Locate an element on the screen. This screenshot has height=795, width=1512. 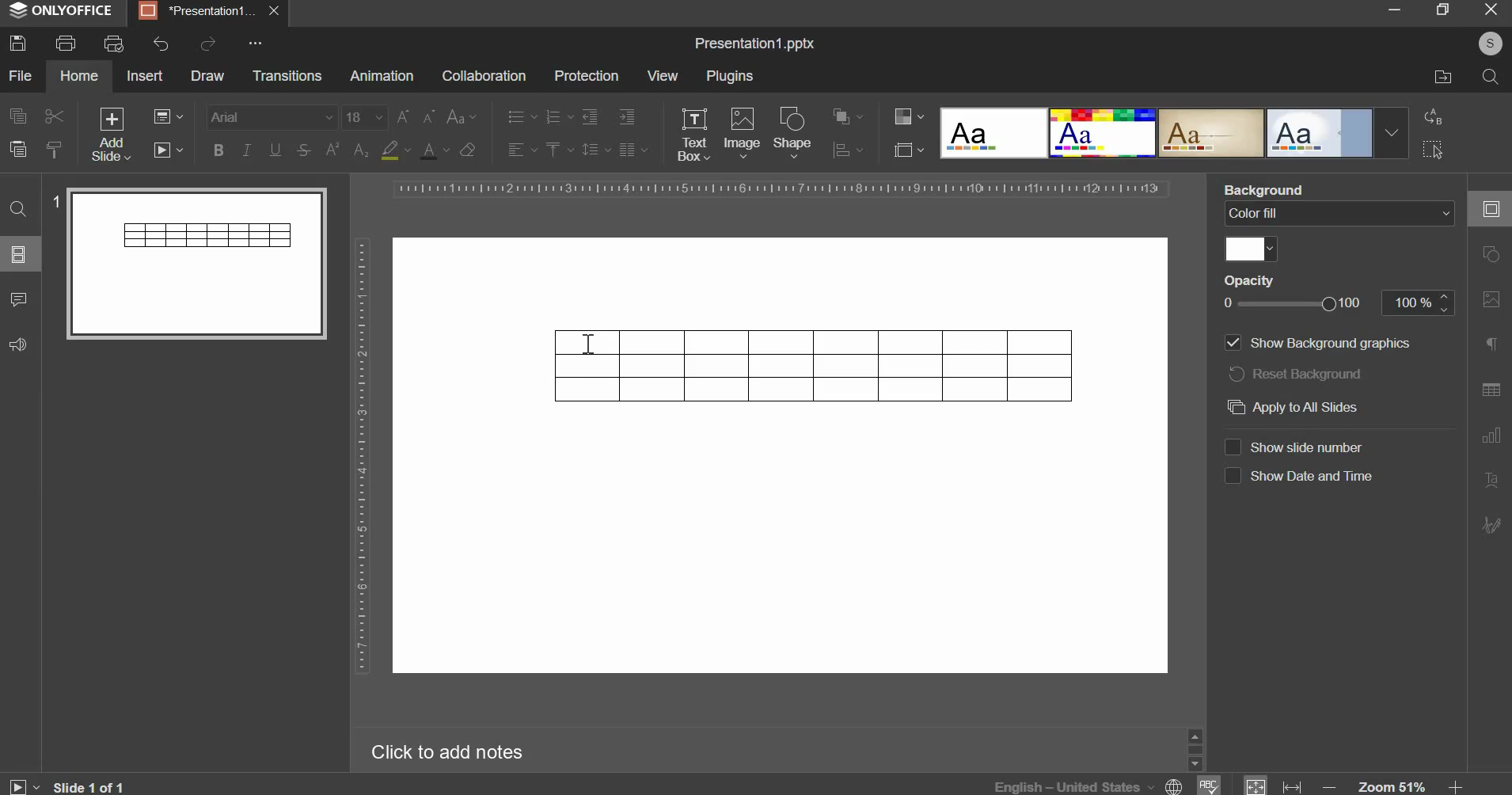
clear style is located at coordinates (467, 149).